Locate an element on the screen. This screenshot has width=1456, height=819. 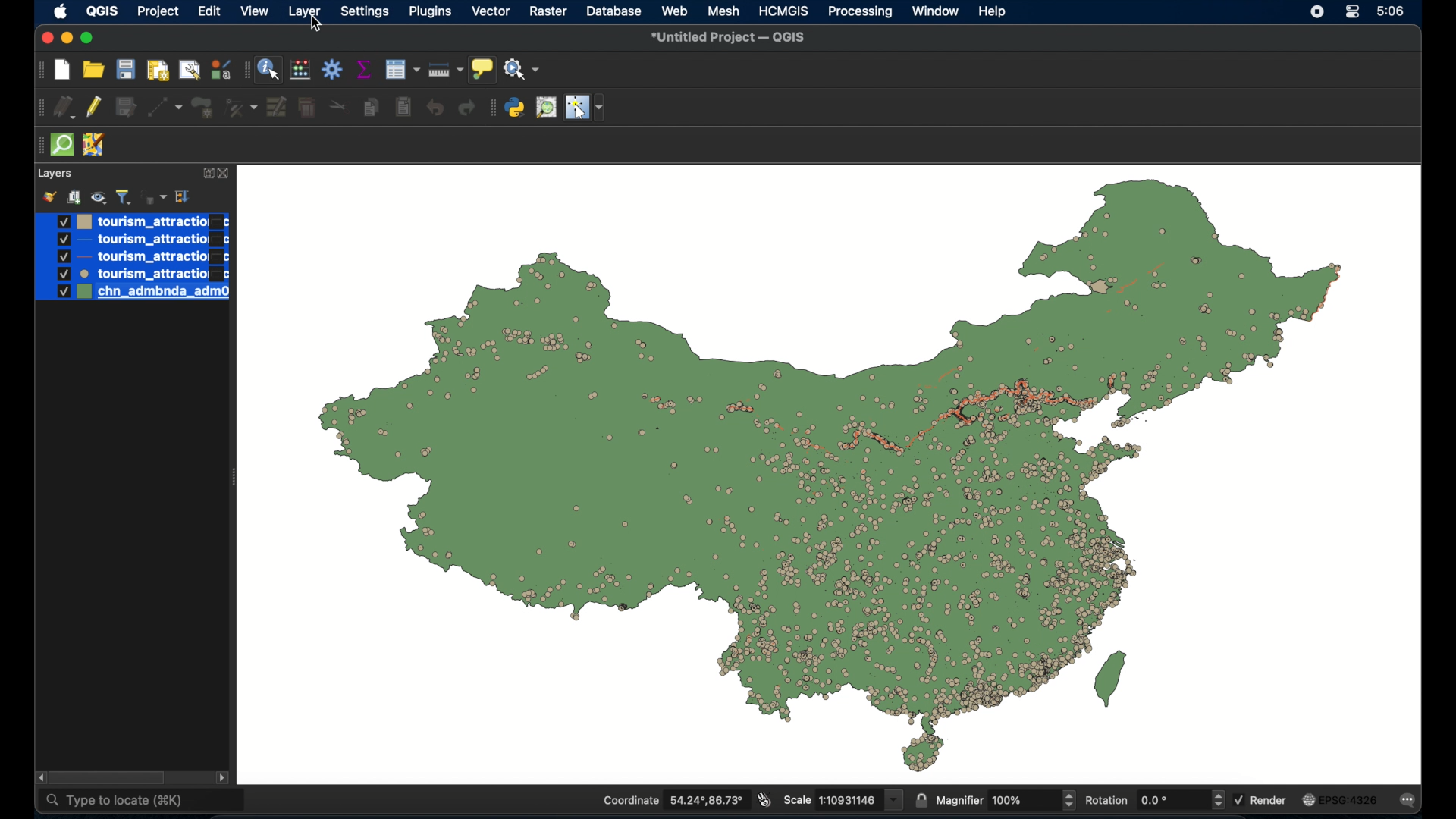
maximize is located at coordinates (90, 37).